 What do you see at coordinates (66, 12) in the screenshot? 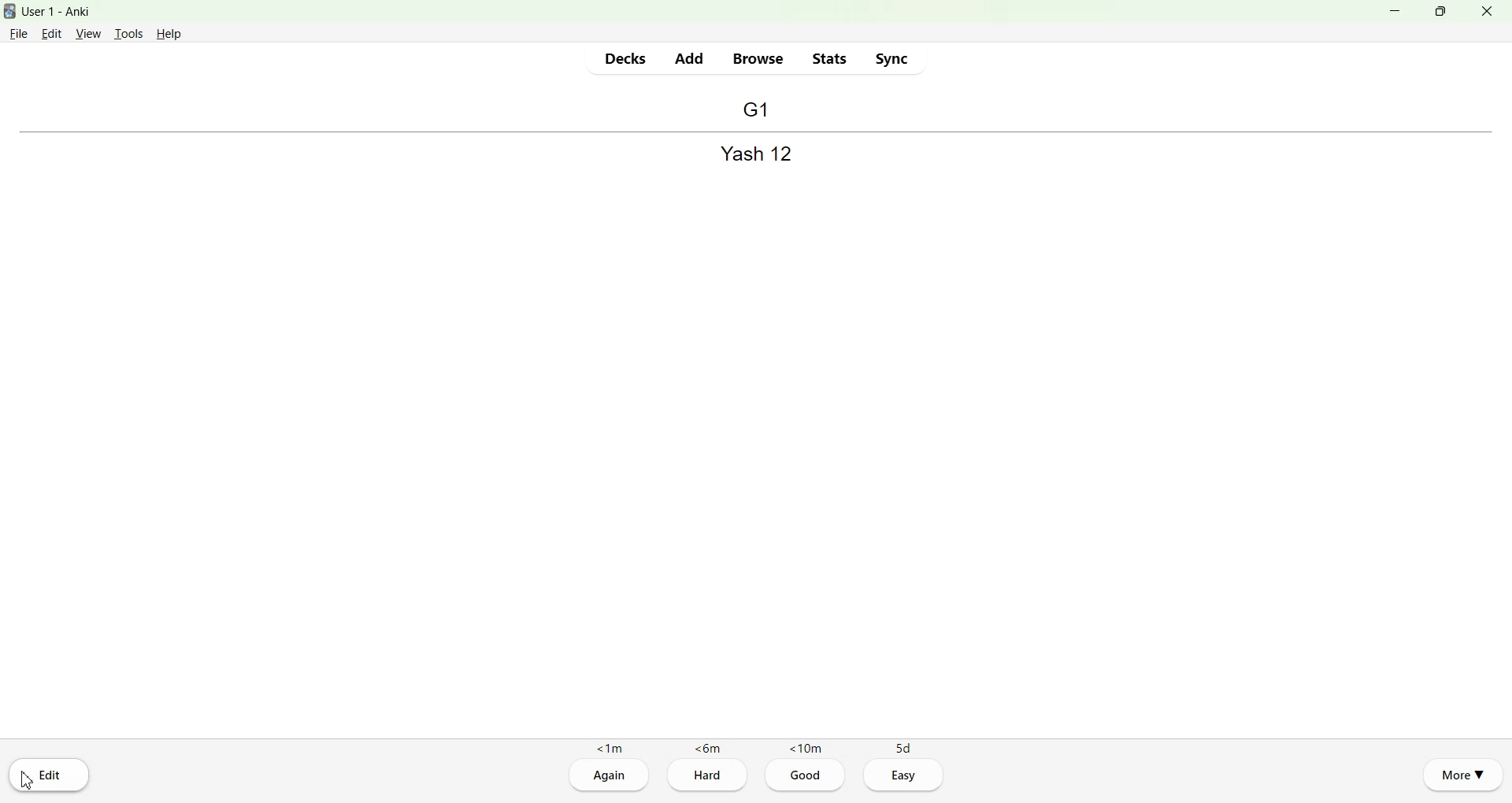
I see `User 1 - Anki` at bounding box center [66, 12].